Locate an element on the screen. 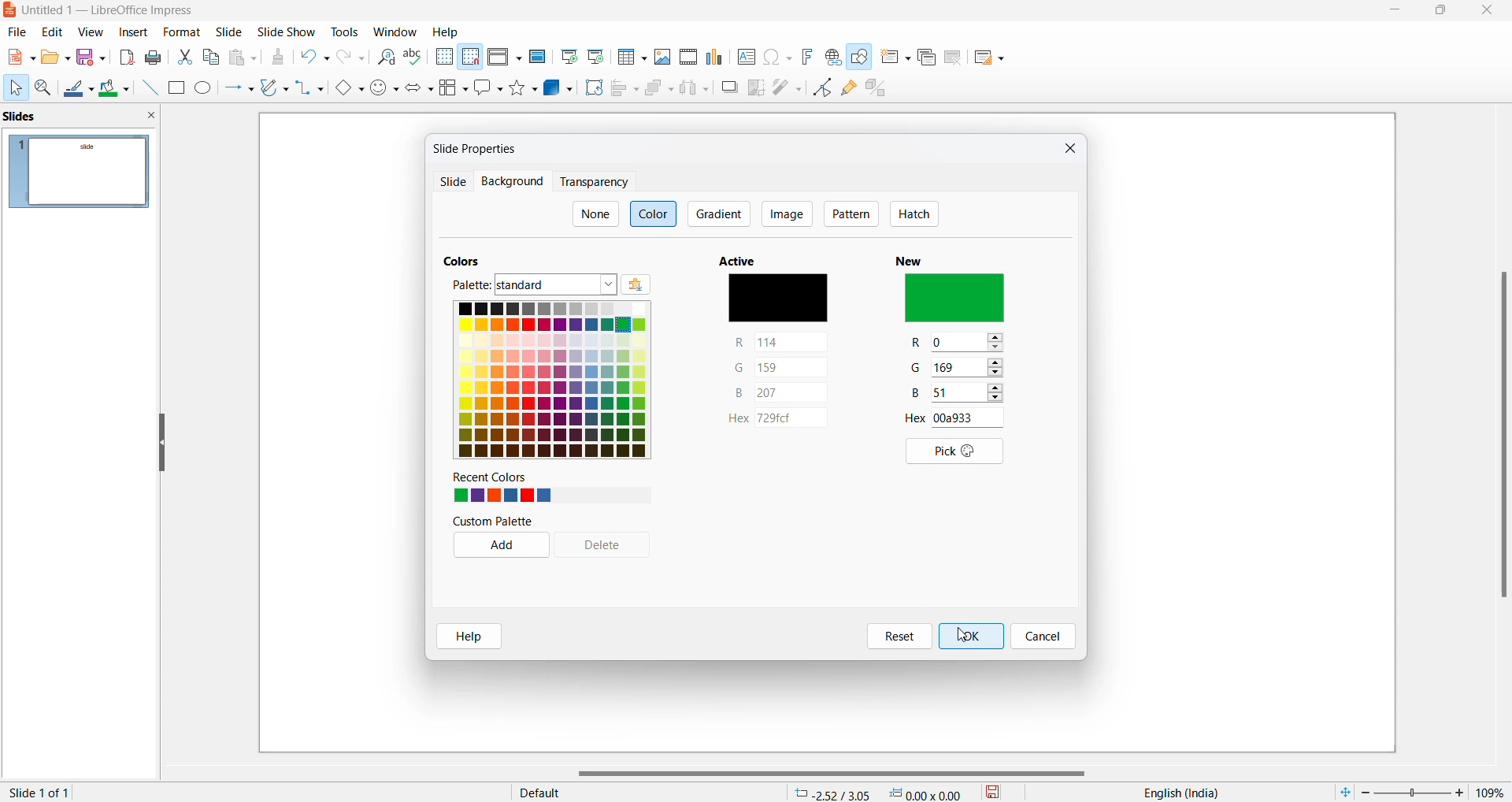 The image size is (1512, 802). show draw functions is located at coordinates (862, 60).